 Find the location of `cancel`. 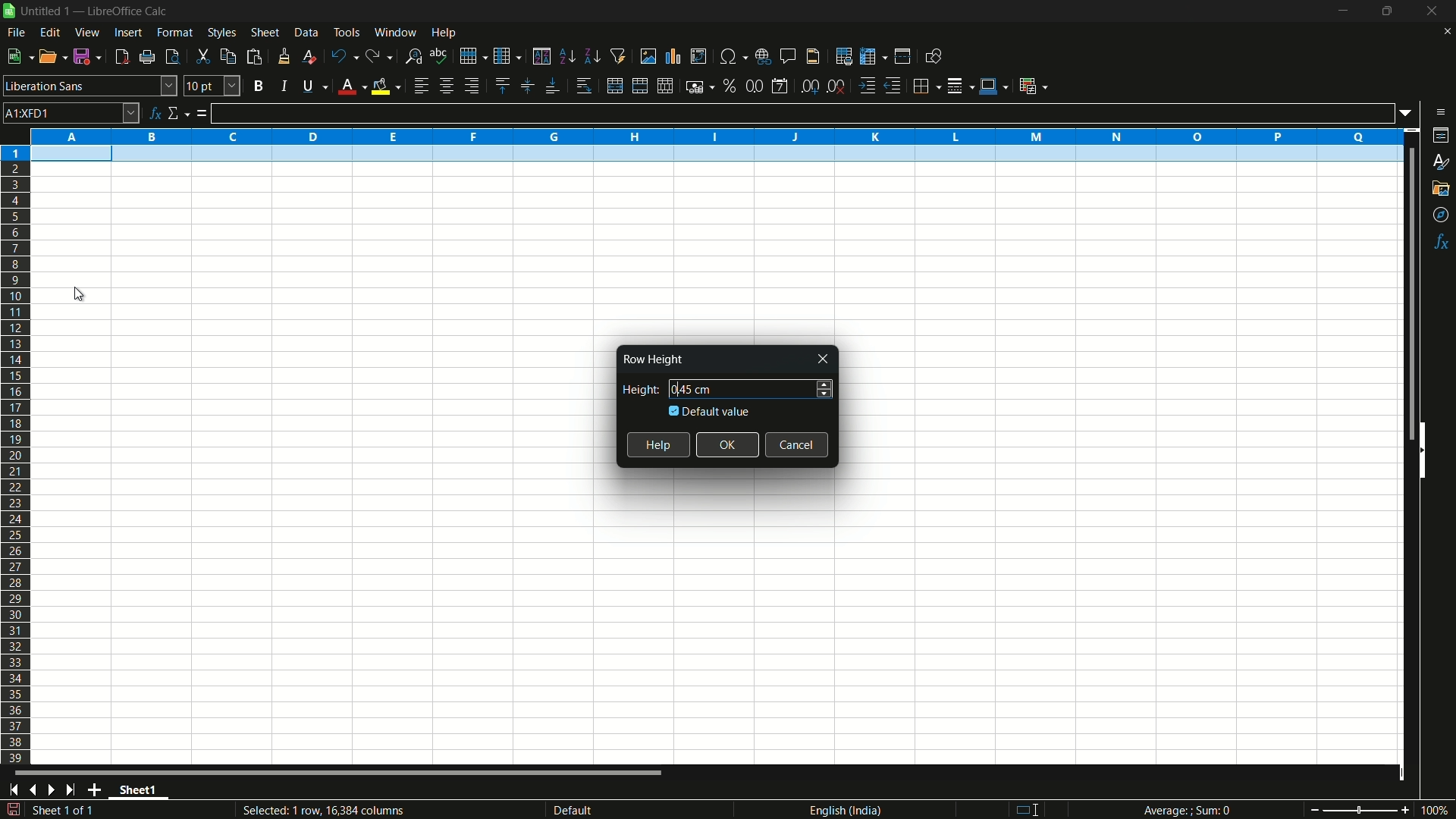

cancel is located at coordinates (798, 444).